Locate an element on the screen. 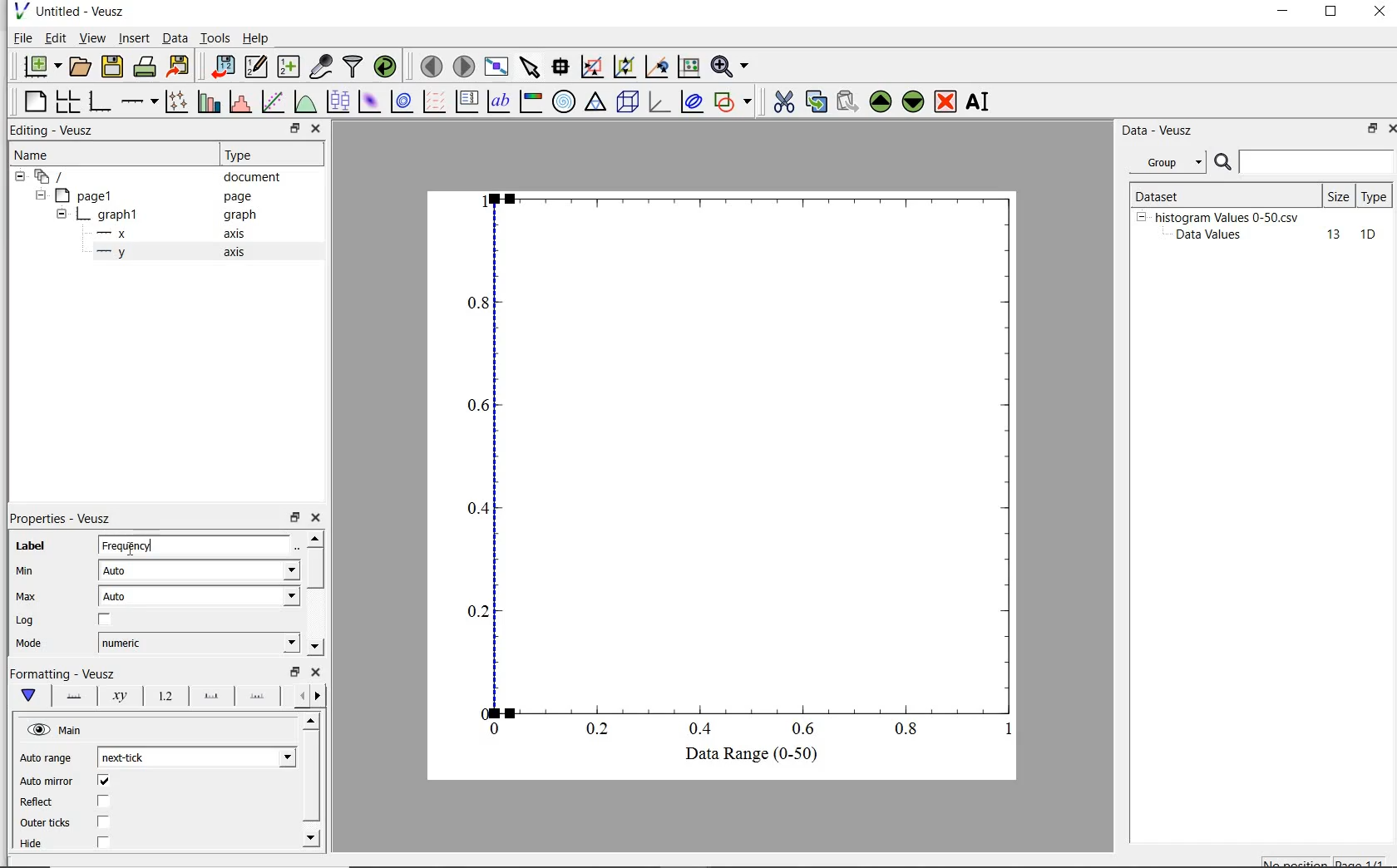 The width and height of the screenshot is (1397, 868). vertical scrollbar is located at coordinates (314, 568).